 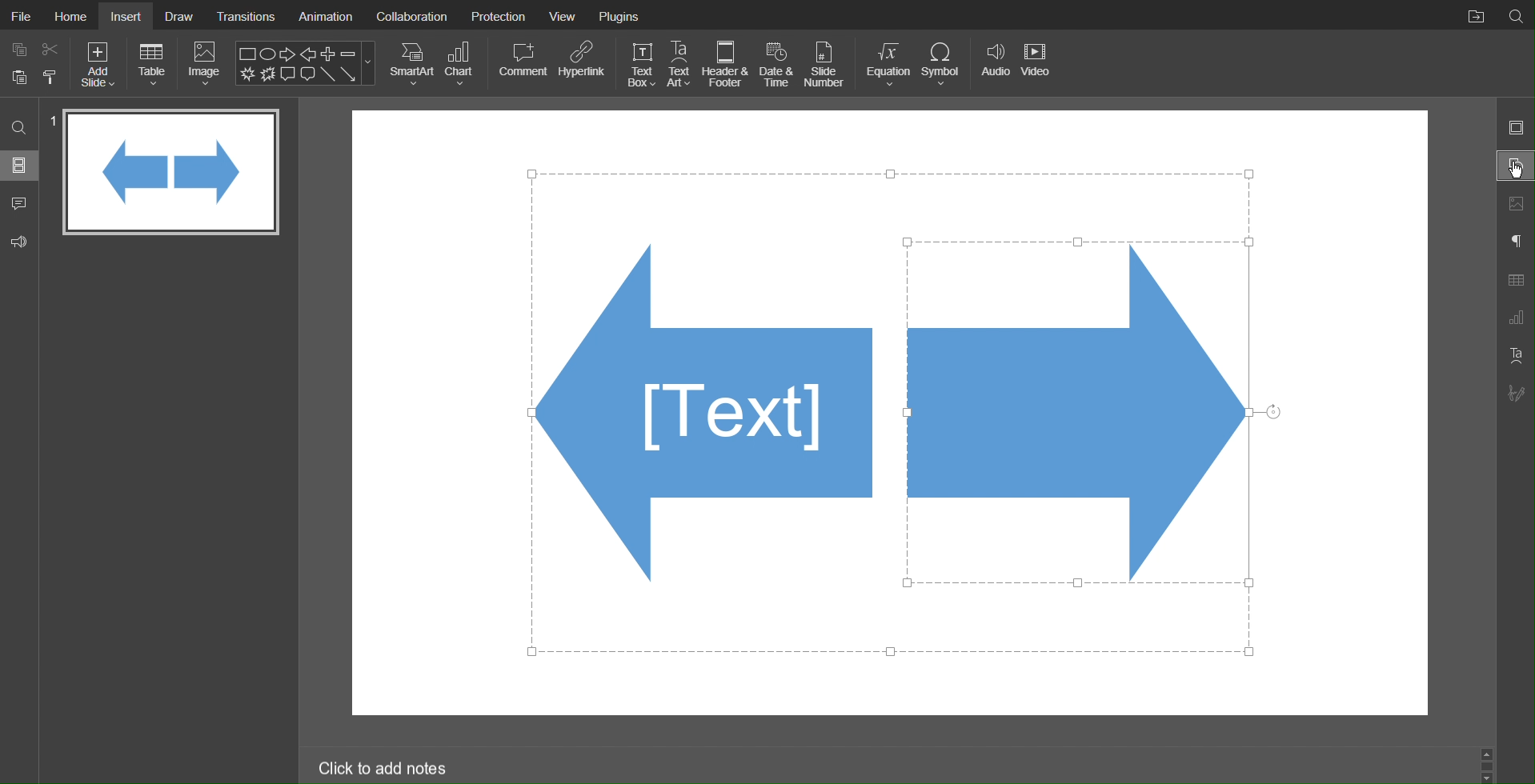 What do you see at coordinates (384, 766) in the screenshot?
I see `Click to add notes` at bounding box center [384, 766].